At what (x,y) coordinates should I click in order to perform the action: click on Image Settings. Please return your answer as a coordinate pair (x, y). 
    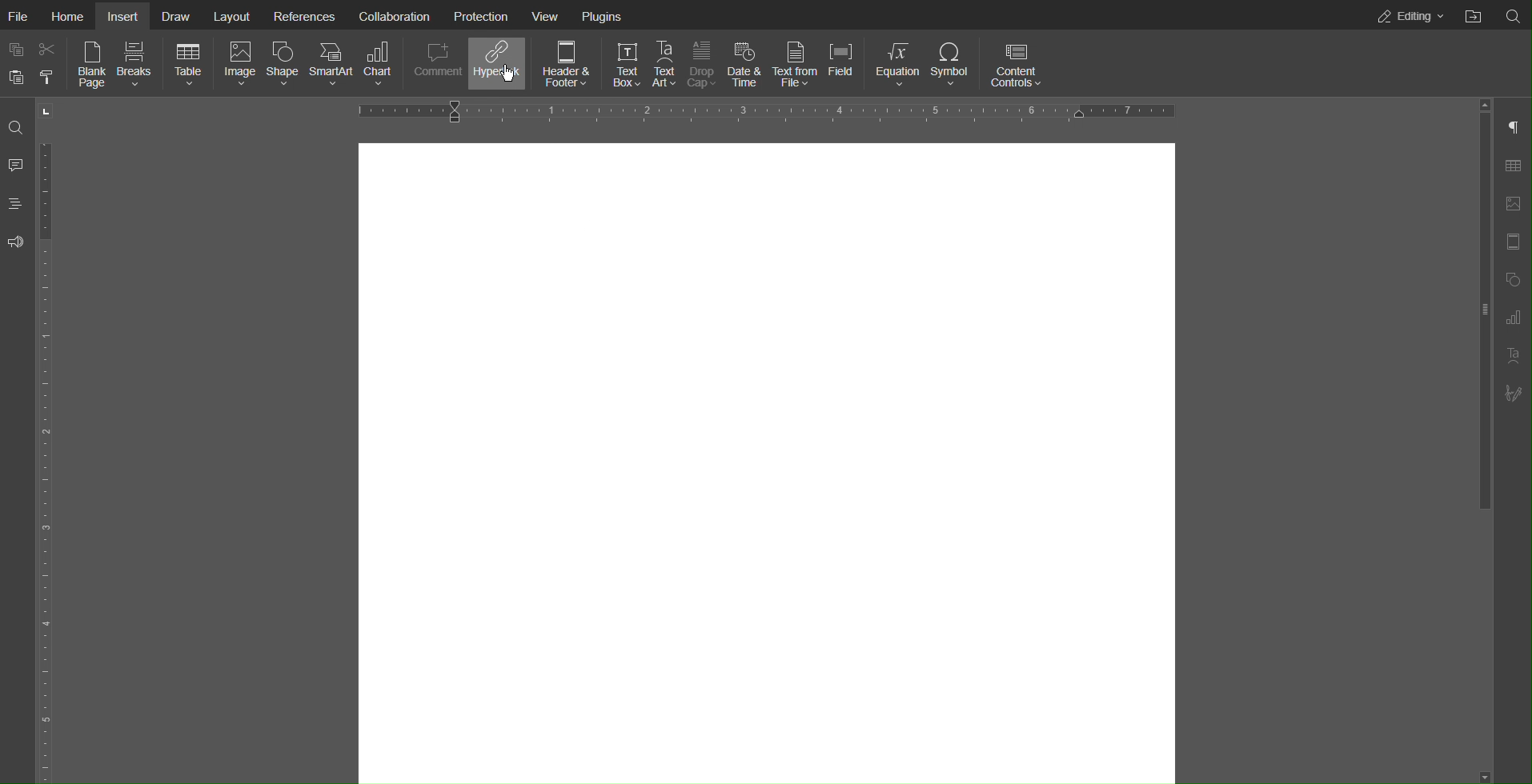
    Looking at the image, I should click on (1512, 204).